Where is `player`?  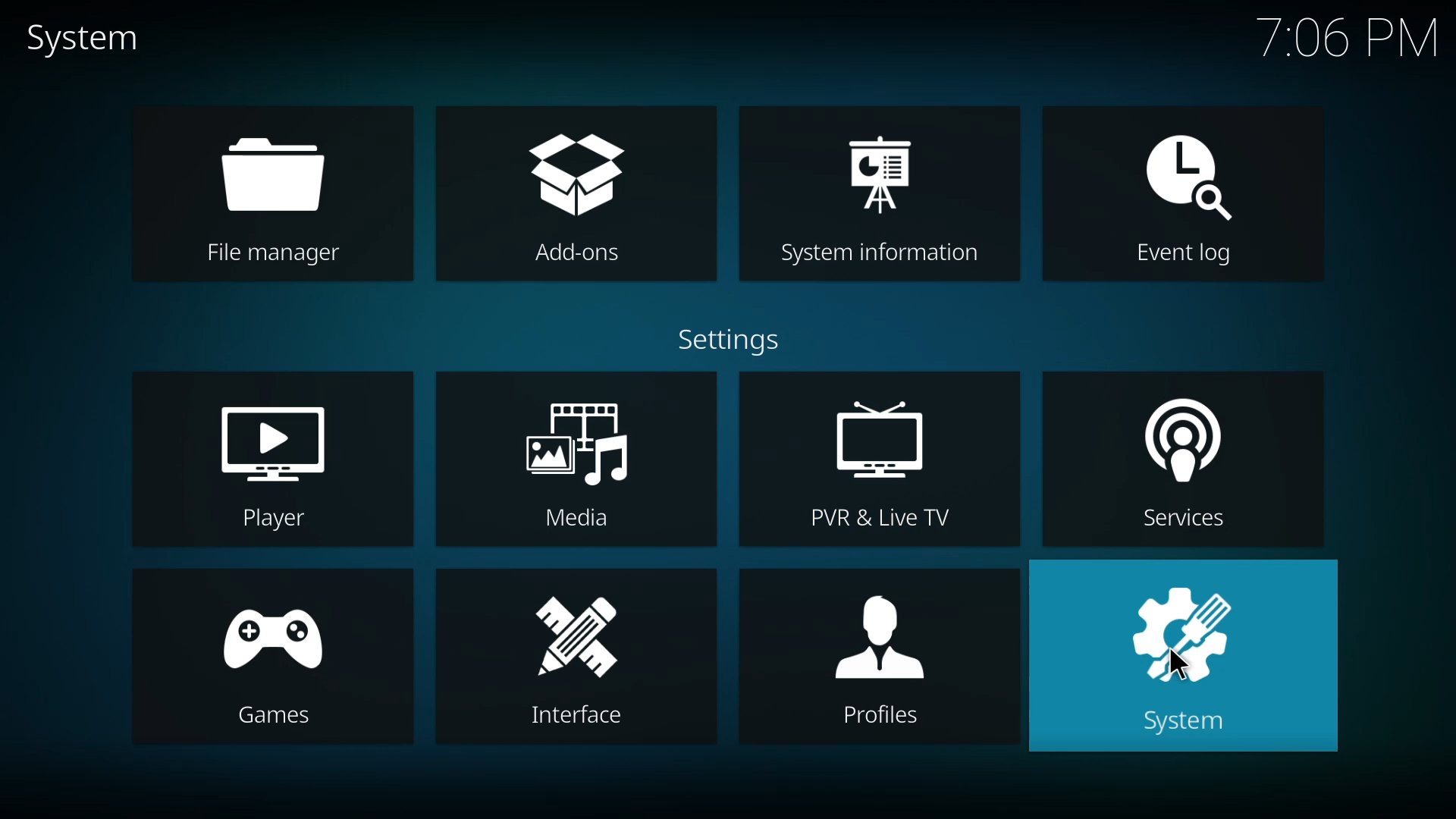 player is located at coordinates (269, 465).